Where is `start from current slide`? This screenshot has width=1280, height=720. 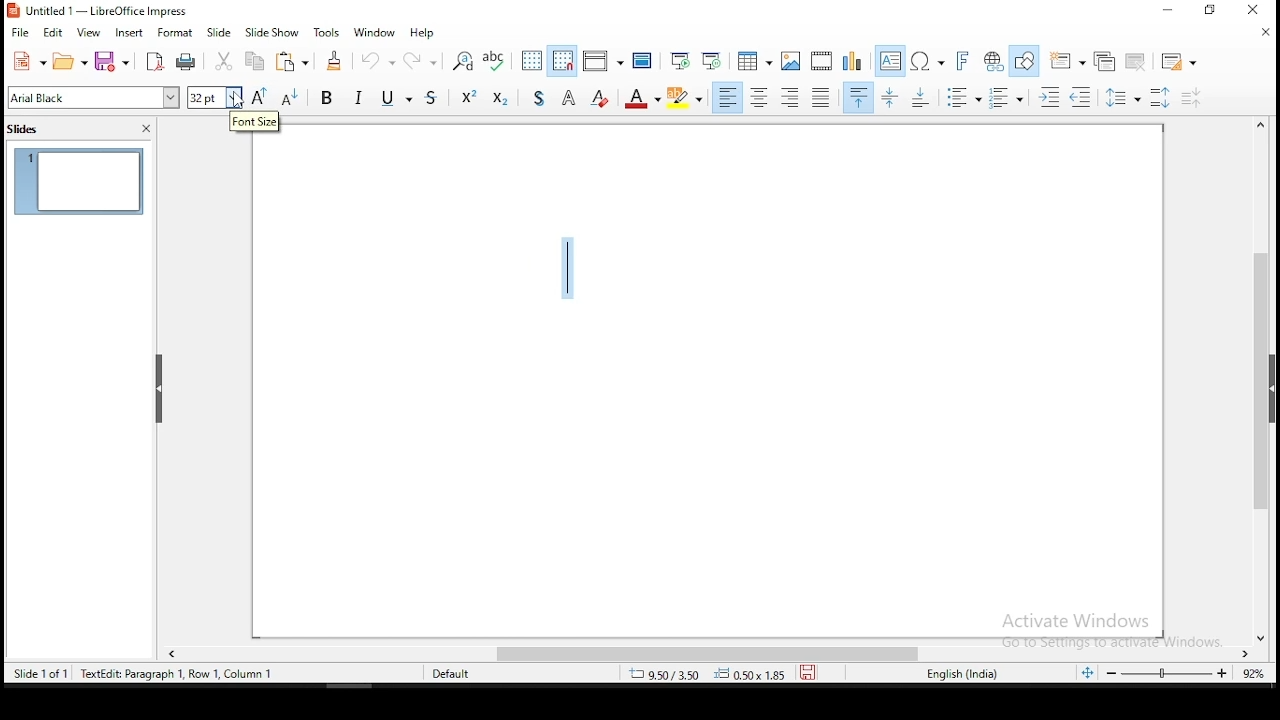
start from current slide is located at coordinates (711, 60).